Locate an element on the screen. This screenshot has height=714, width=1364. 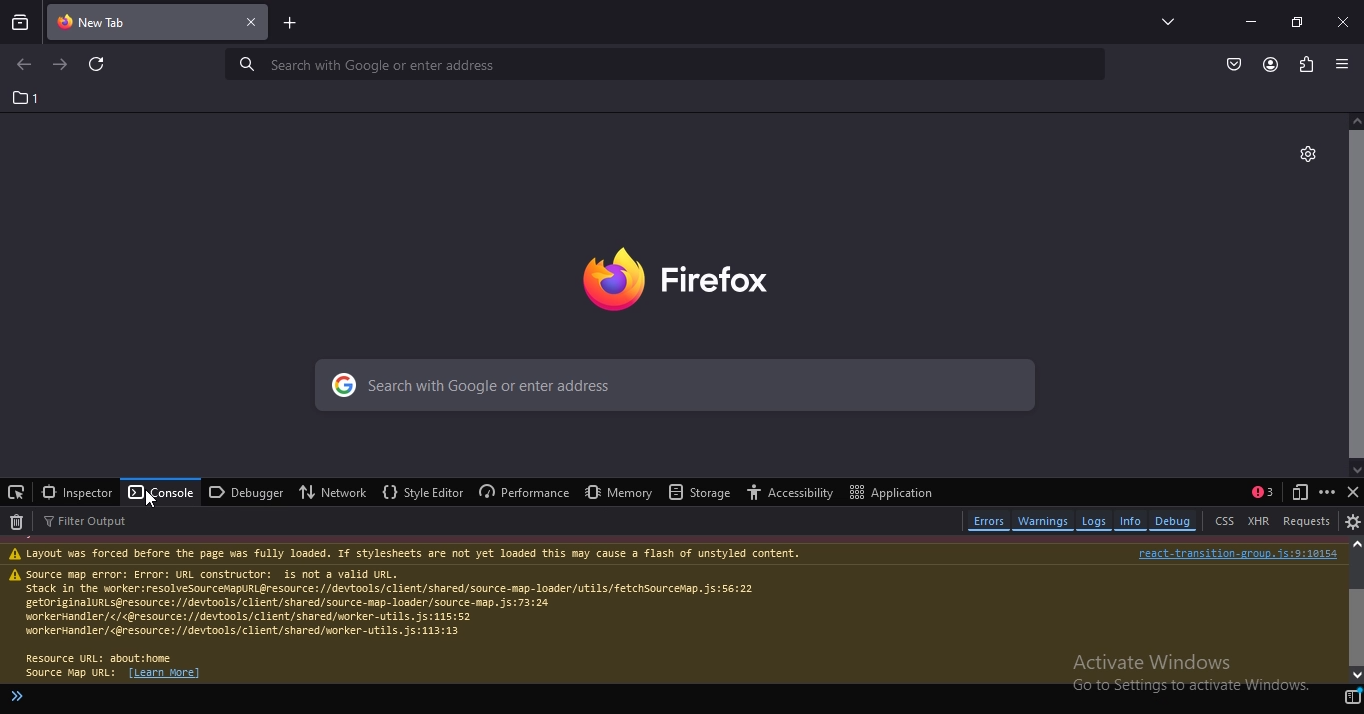
save to pocket is located at coordinates (1235, 65).